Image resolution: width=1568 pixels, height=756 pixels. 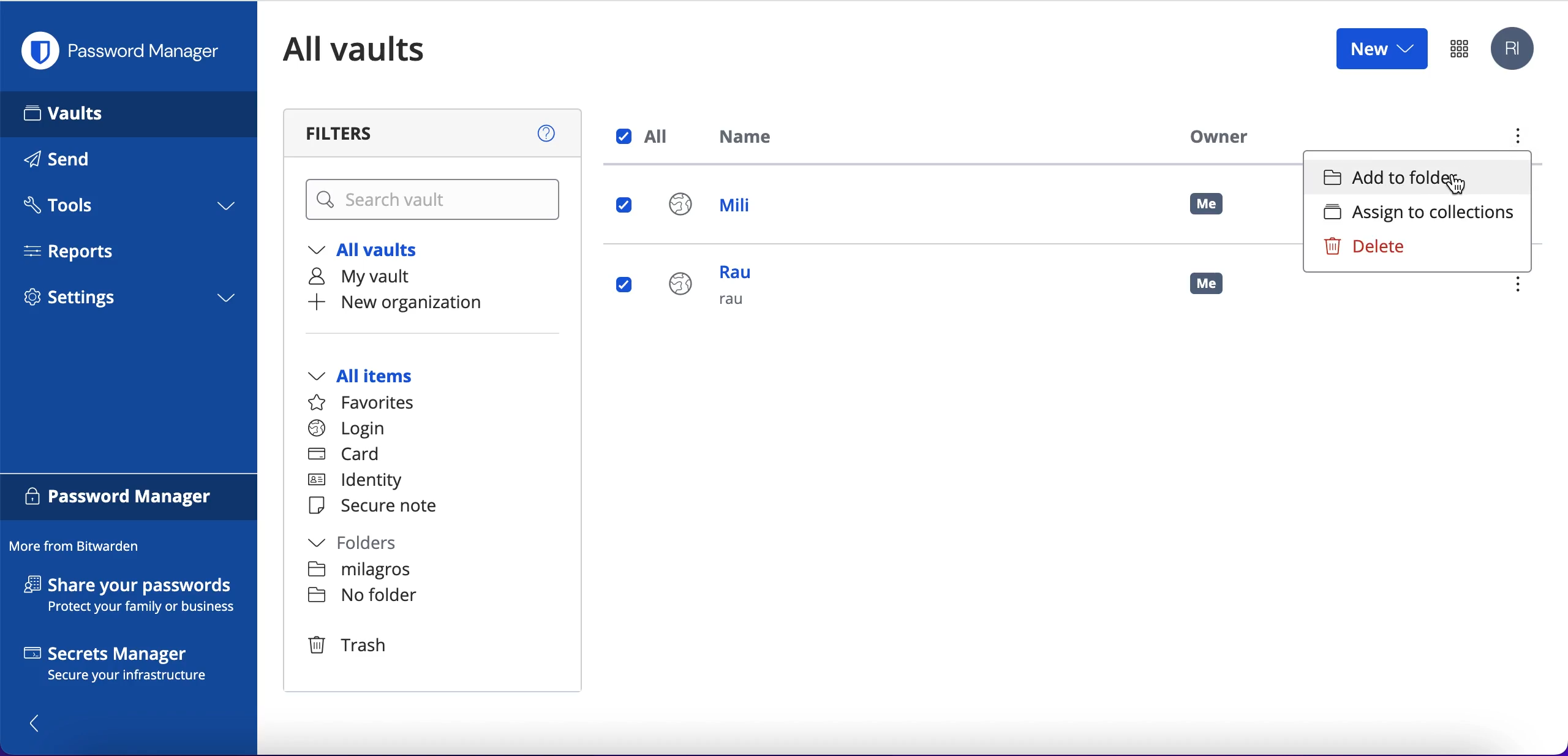 I want to click on no folder, so click(x=361, y=572).